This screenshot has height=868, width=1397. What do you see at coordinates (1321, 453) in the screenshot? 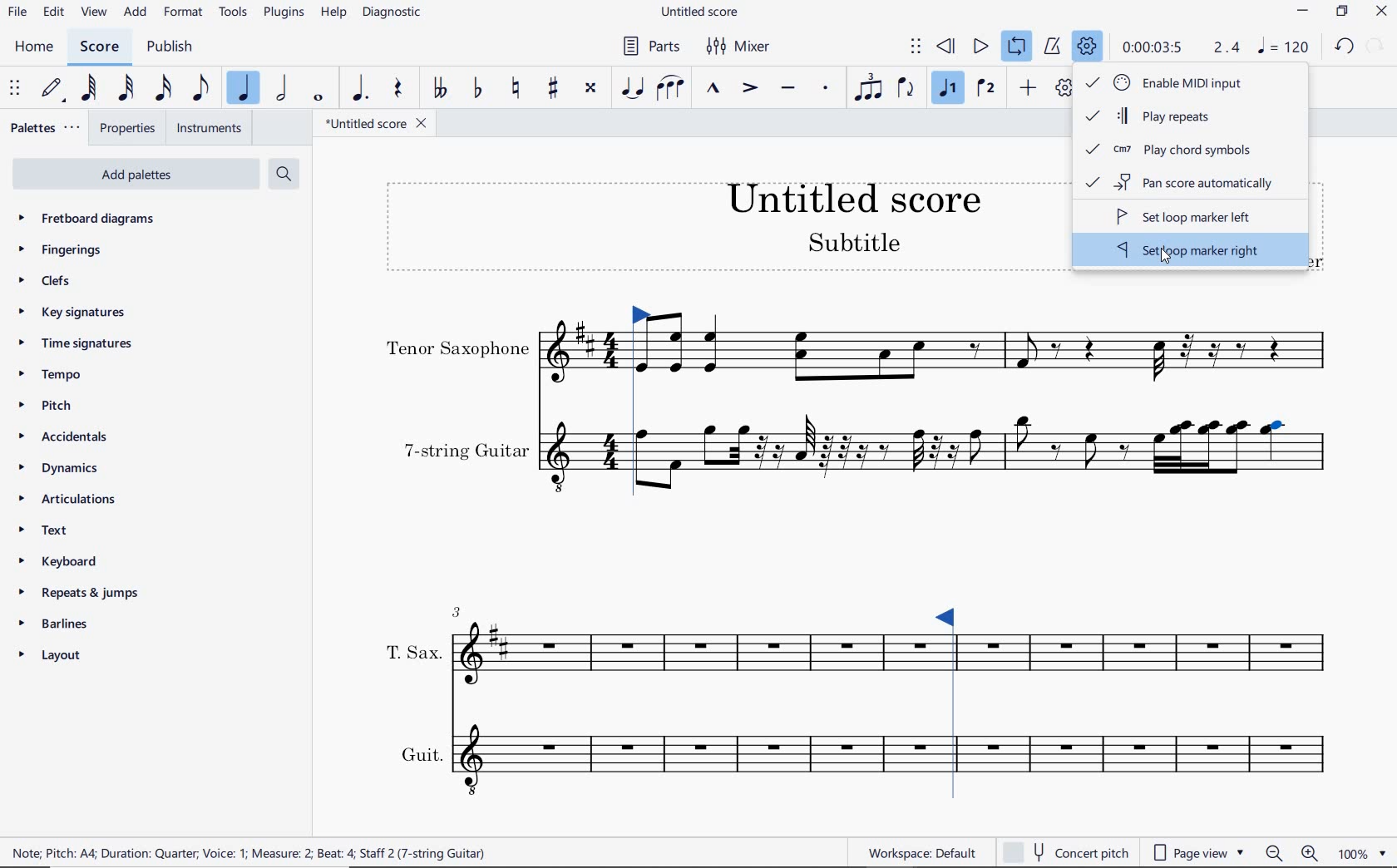
I see `INSTRUMENT: 7-STRING GUITAR` at bounding box center [1321, 453].